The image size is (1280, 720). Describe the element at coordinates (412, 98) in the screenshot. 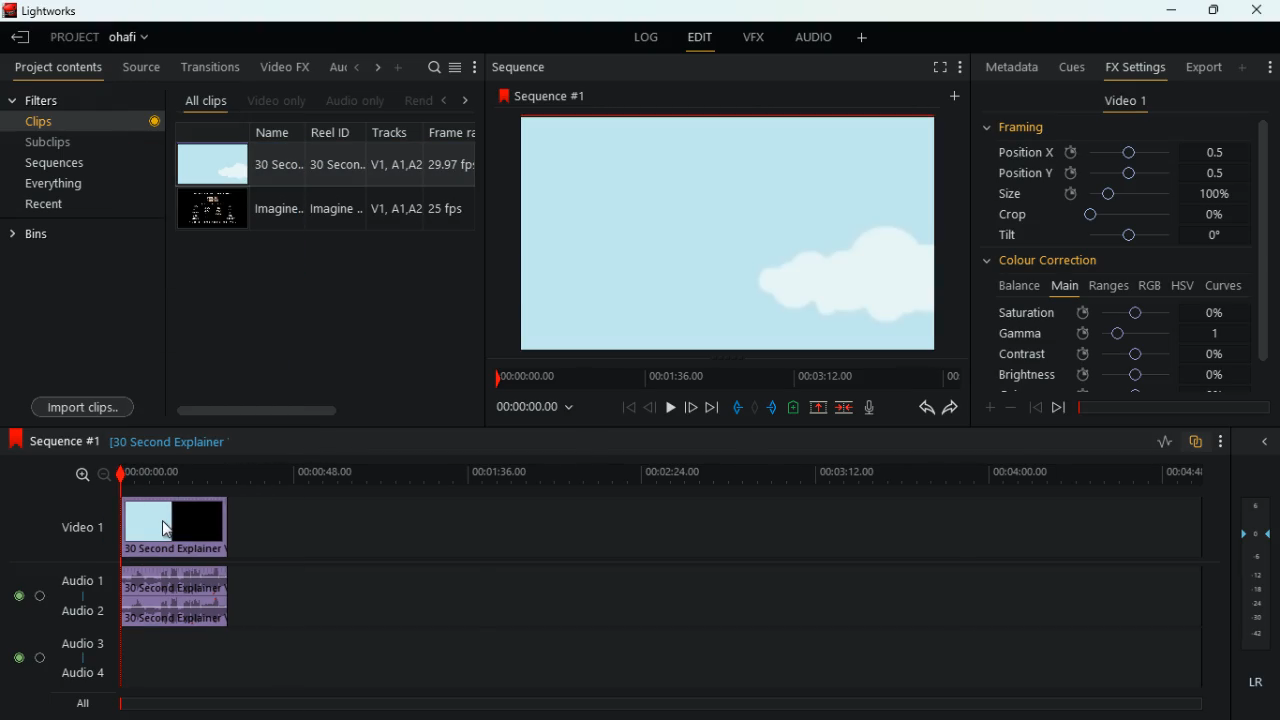

I see `rend` at that location.